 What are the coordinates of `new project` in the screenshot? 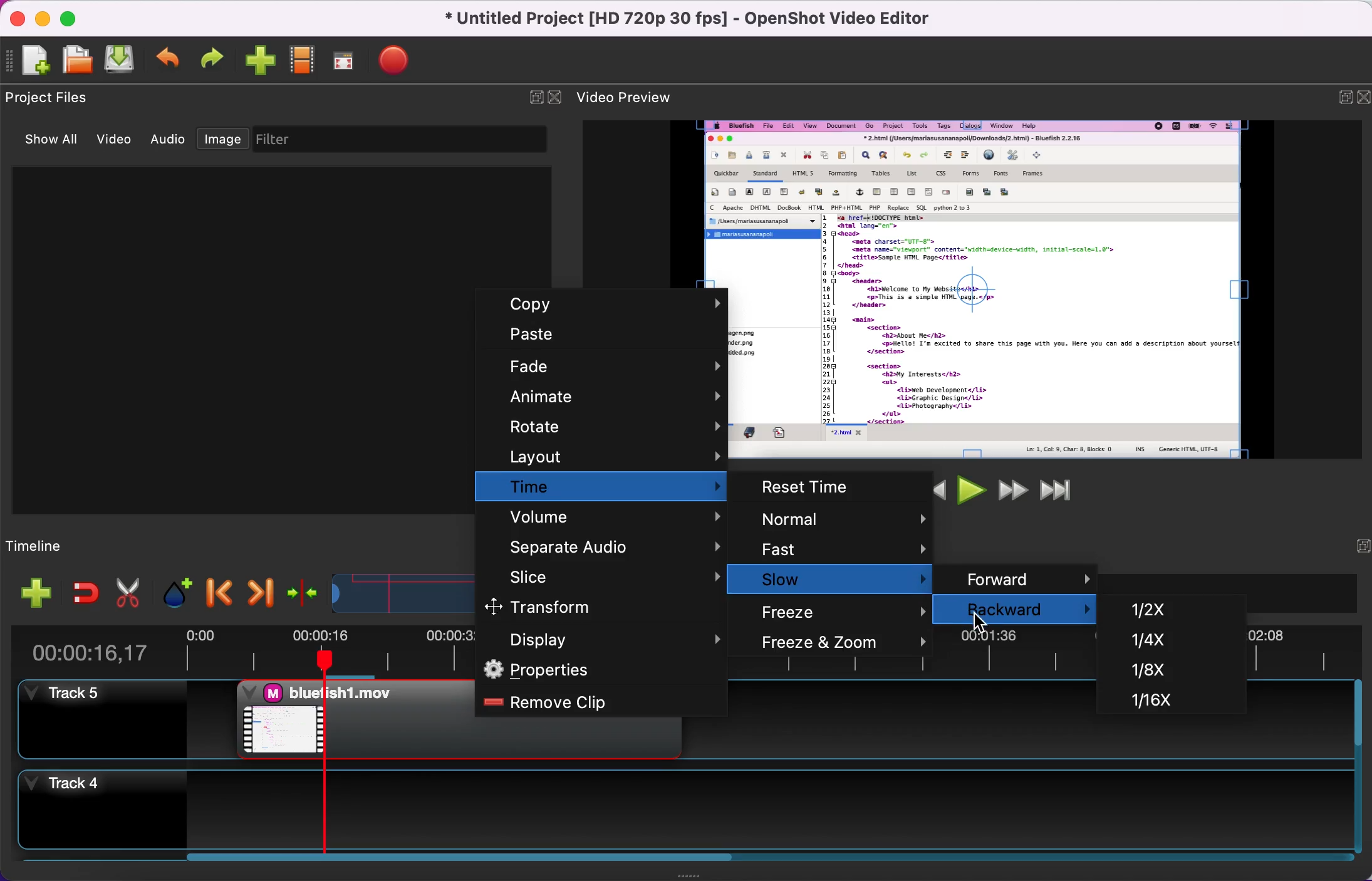 It's located at (33, 63).